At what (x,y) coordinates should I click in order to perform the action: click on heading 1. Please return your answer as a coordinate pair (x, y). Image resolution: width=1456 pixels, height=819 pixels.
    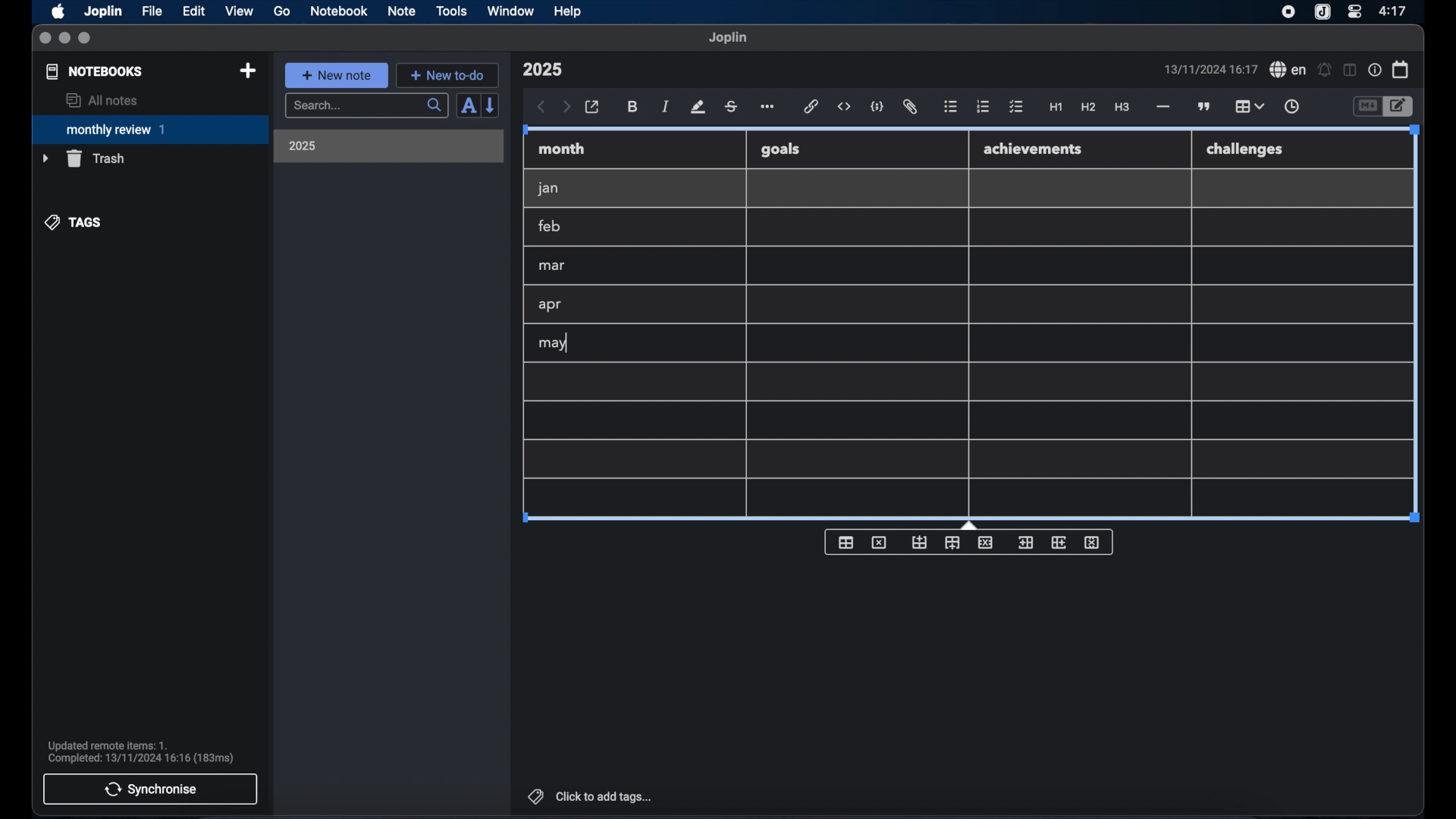
    Looking at the image, I should click on (1056, 108).